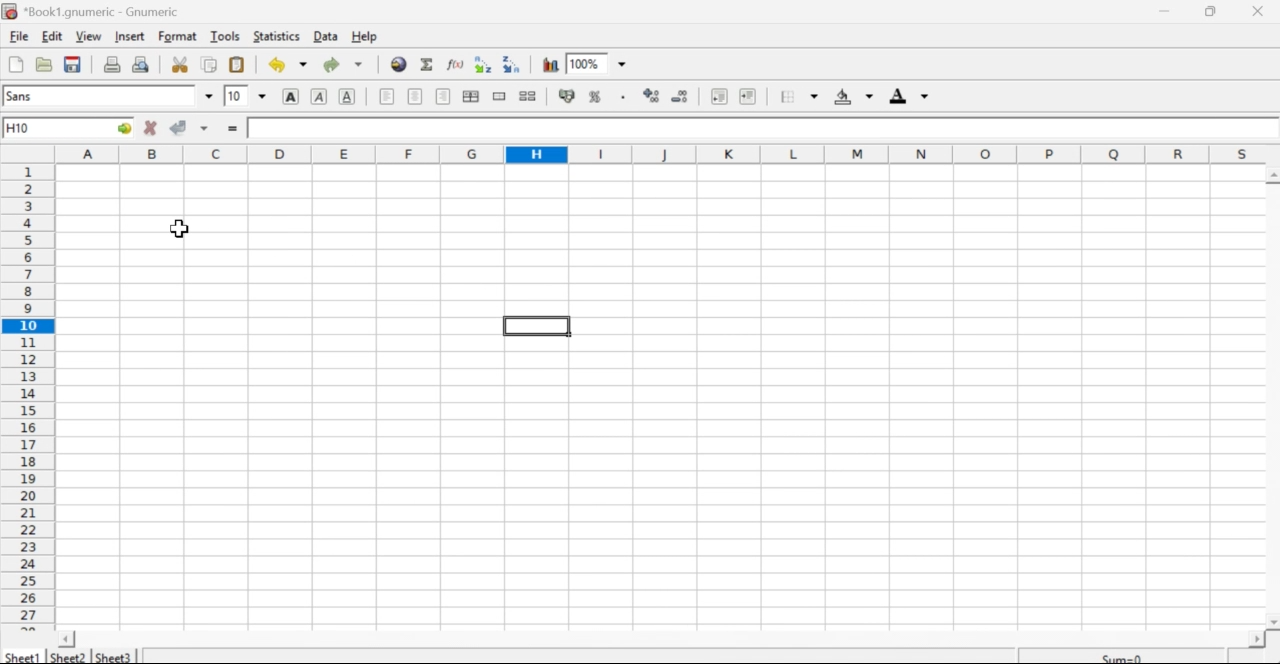 The width and height of the screenshot is (1280, 664). I want to click on Sum, so click(1123, 655).